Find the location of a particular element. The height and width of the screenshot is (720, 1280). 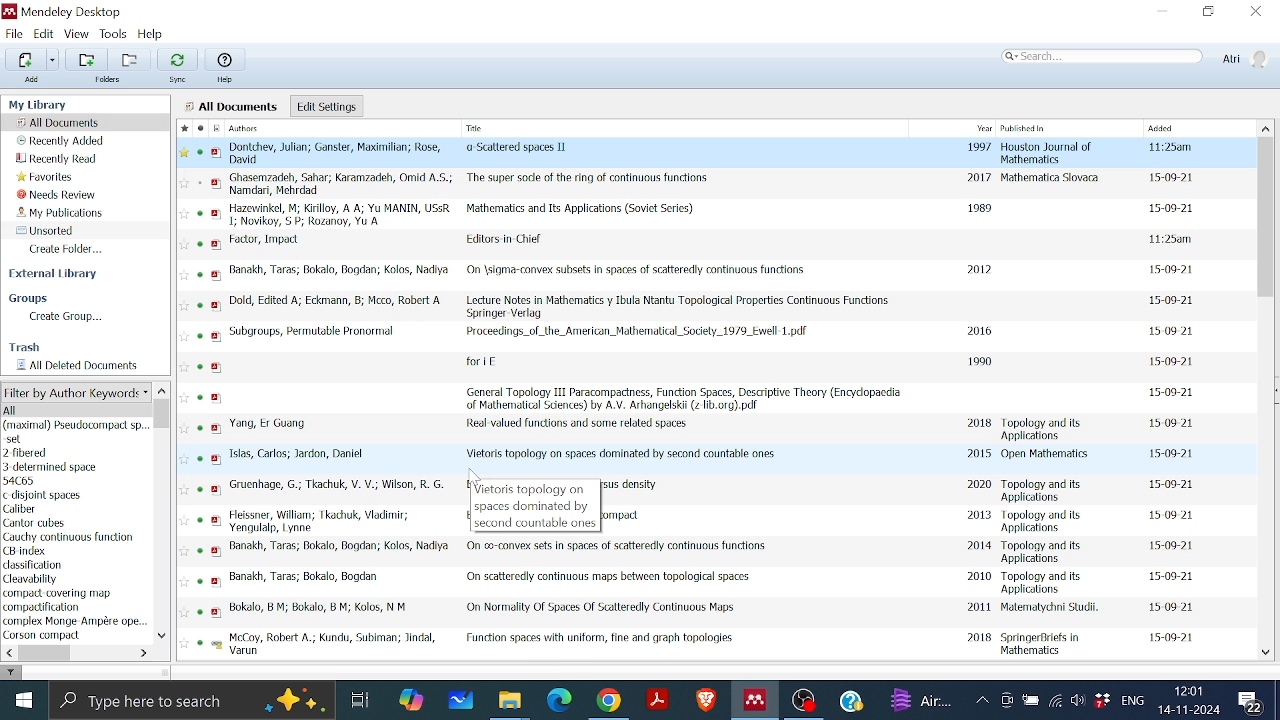

read status is located at coordinates (204, 612).